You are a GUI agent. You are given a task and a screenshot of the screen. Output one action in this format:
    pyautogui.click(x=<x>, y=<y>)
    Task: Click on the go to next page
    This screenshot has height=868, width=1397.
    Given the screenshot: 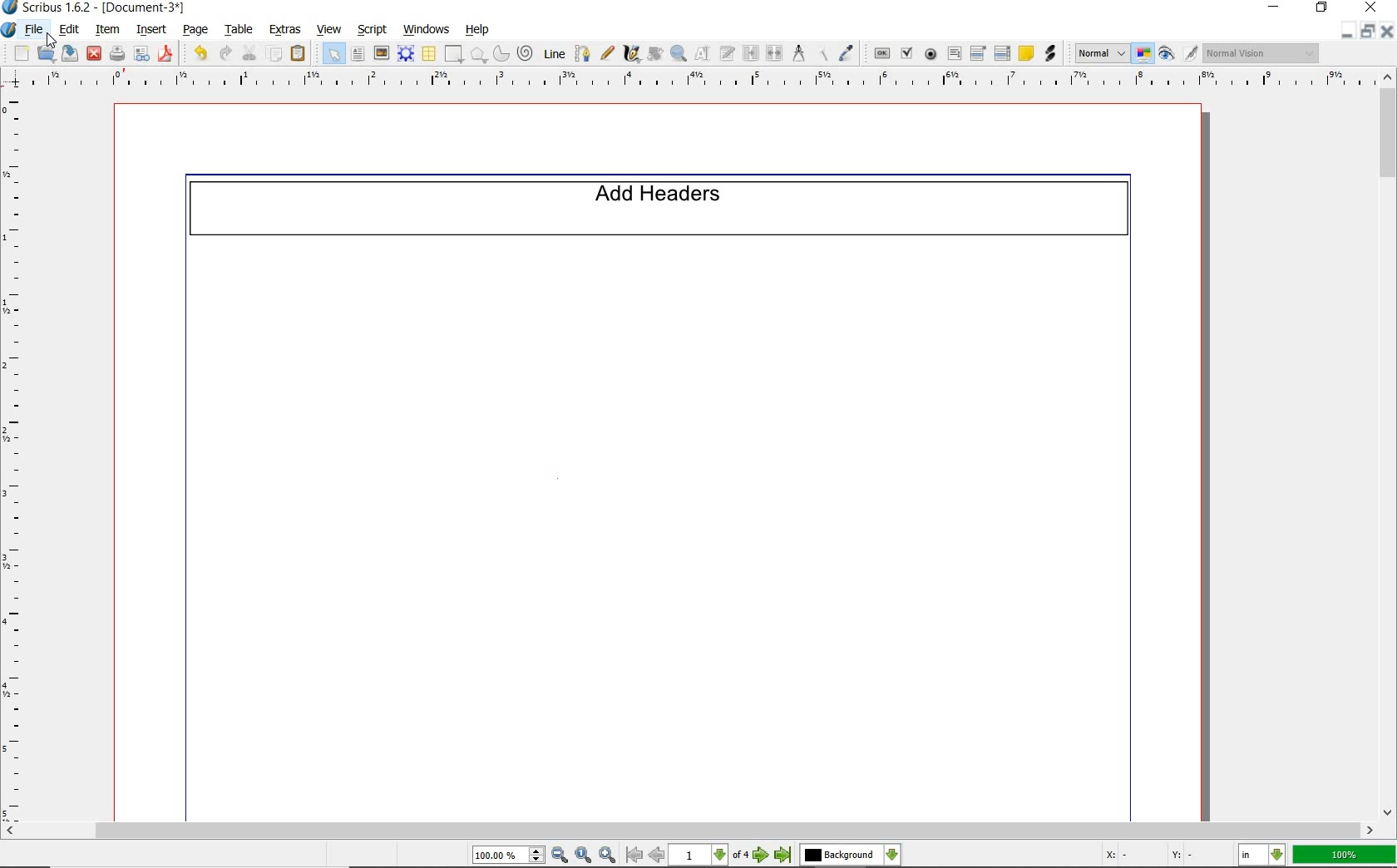 What is the action you would take?
    pyautogui.click(x=763, y=856)
    